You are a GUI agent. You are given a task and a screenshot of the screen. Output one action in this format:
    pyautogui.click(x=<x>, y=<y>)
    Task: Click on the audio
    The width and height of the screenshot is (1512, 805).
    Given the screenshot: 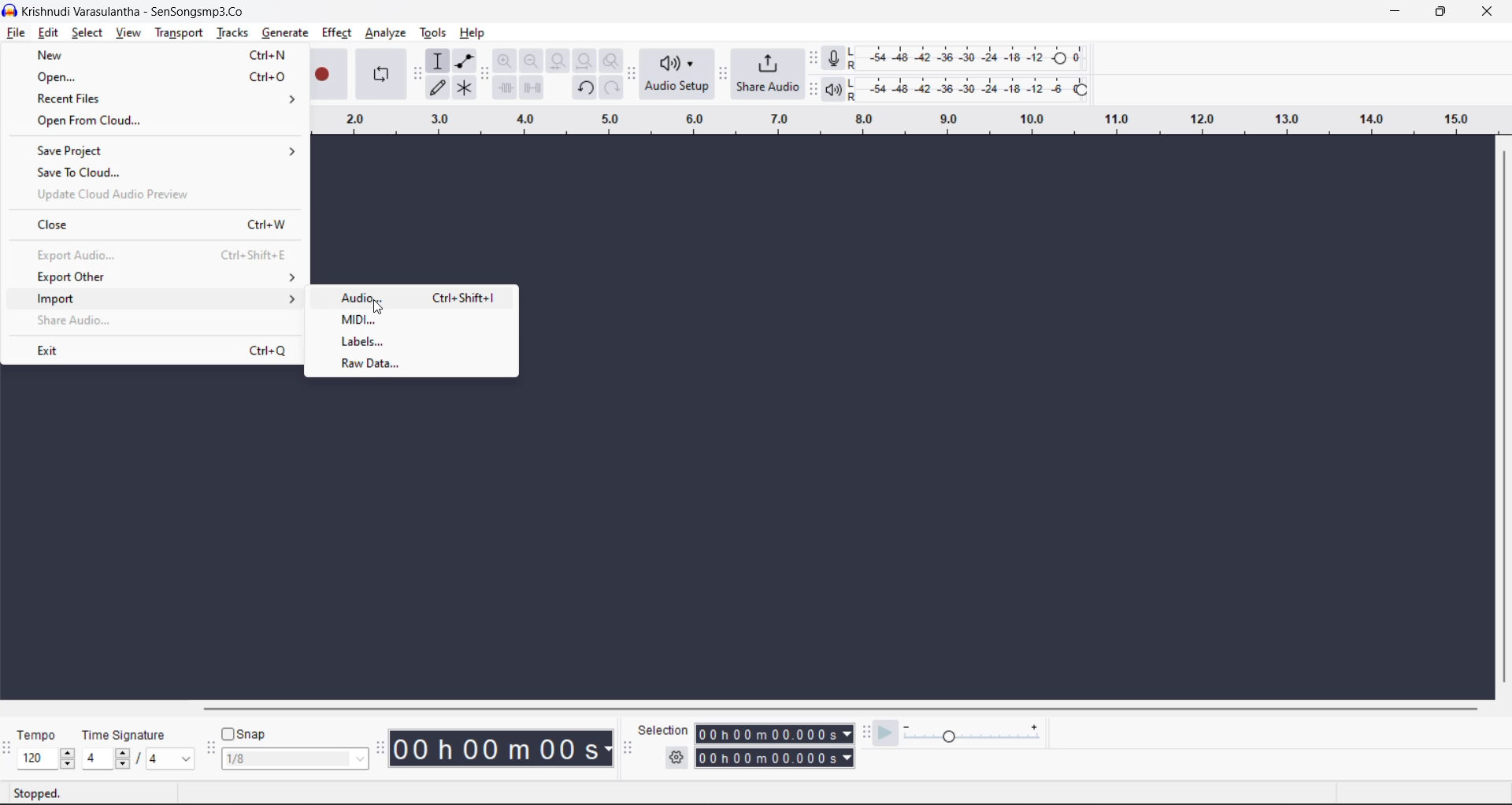 What is the action you would take?
    pyautogui.click(x=418, y=298)
    